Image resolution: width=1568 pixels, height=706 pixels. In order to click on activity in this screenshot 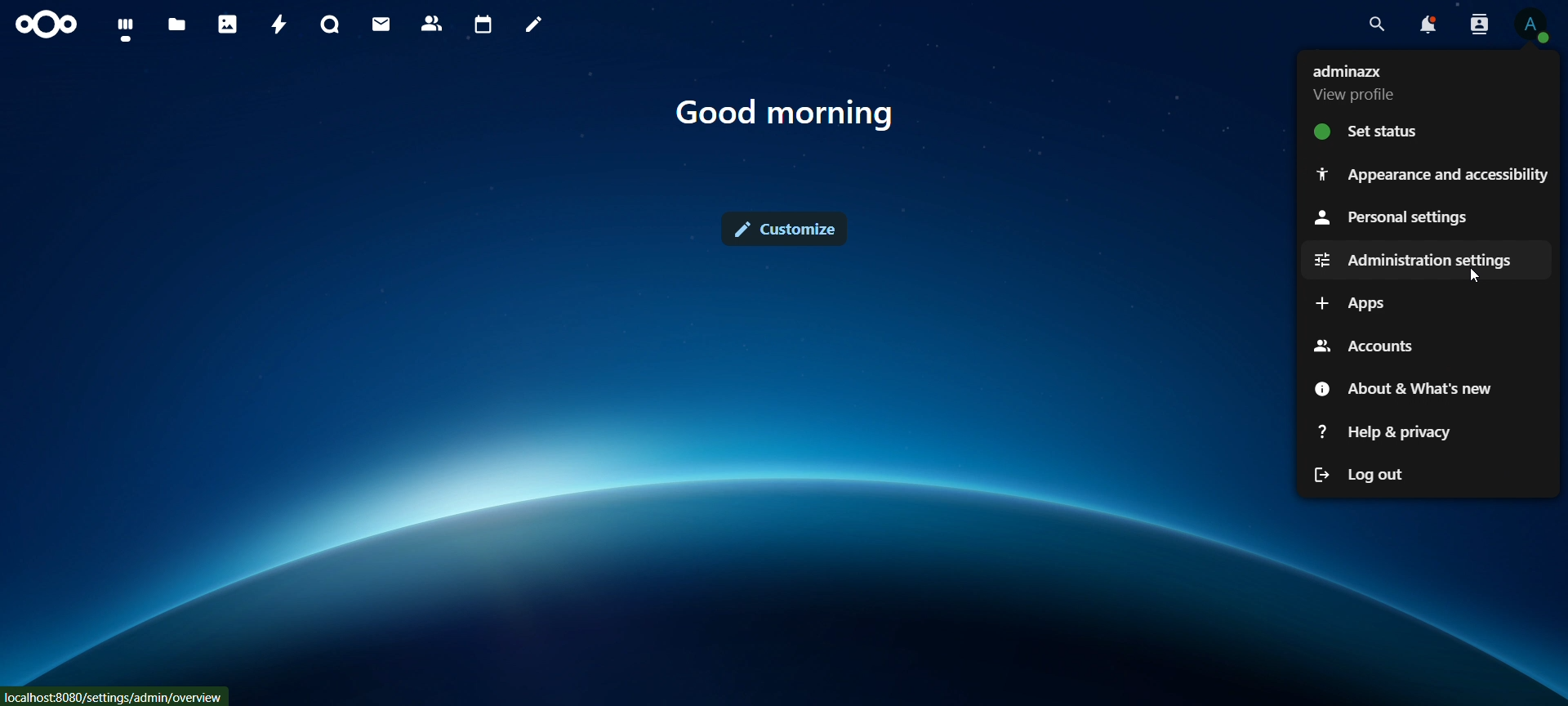, I will do `click(281, 25)`.